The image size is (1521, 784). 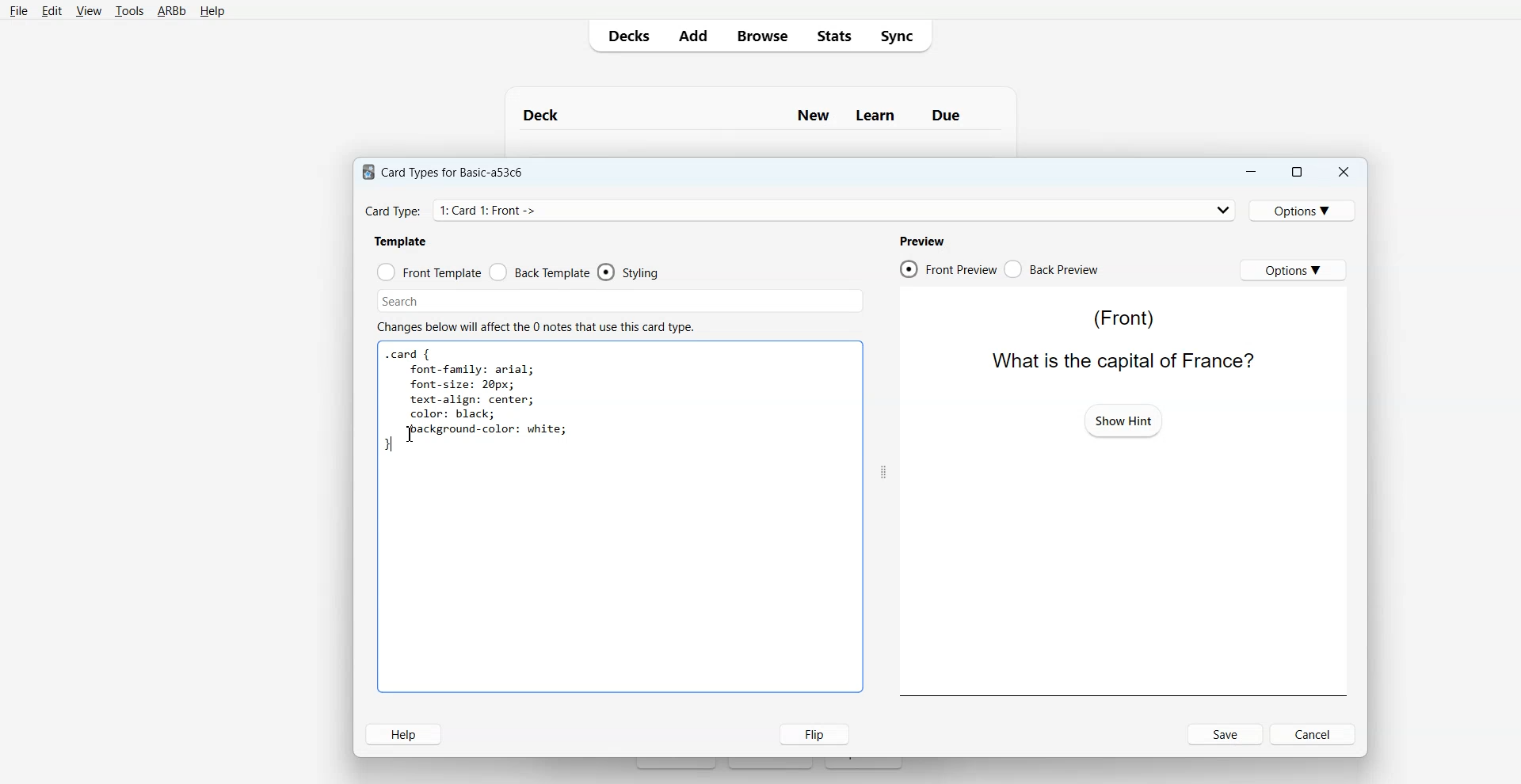 I want to click on Options, so click(x=1305, y=210).